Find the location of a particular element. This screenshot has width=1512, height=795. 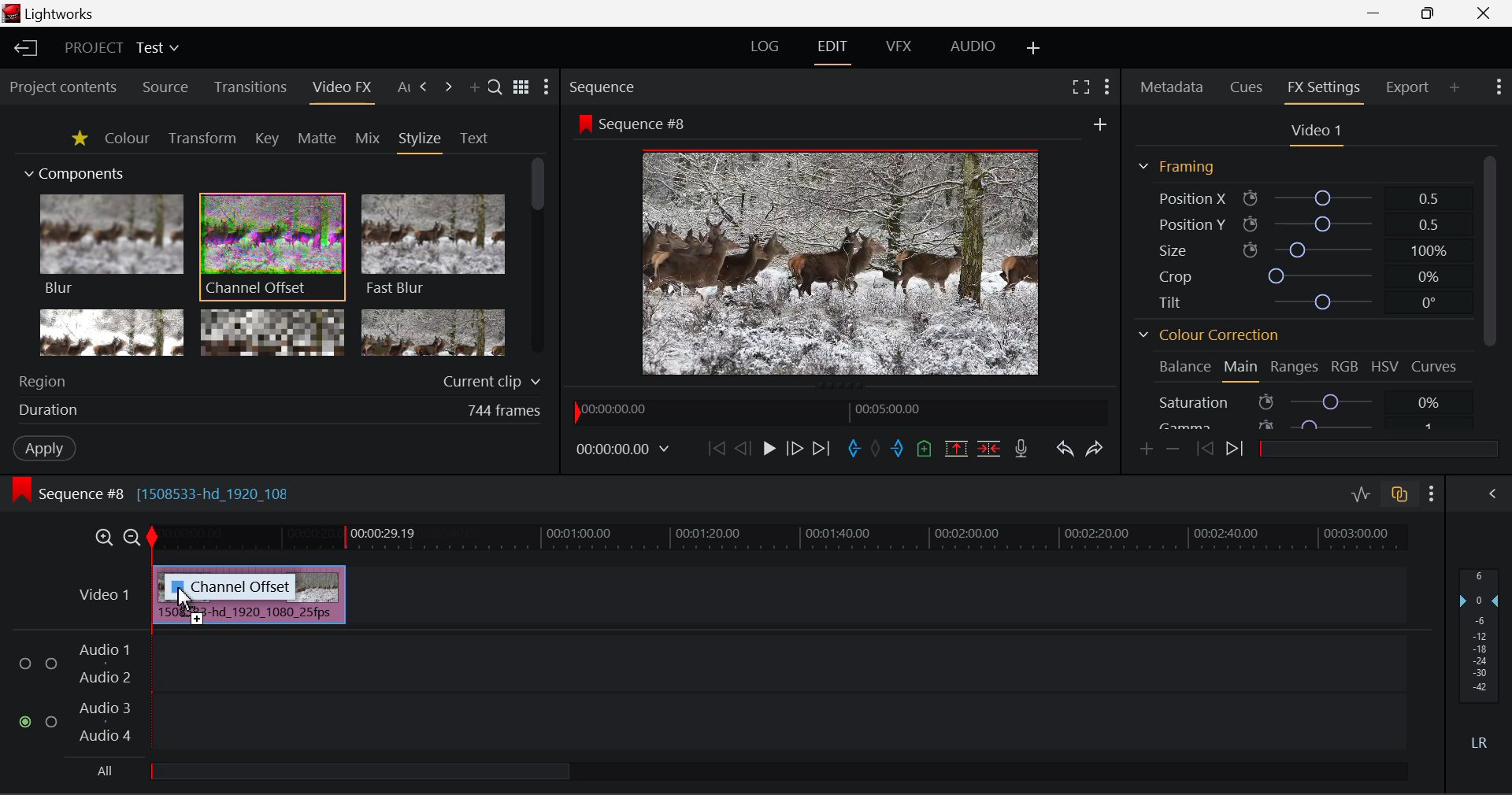

Project contents is located at coordinates (62, 88).